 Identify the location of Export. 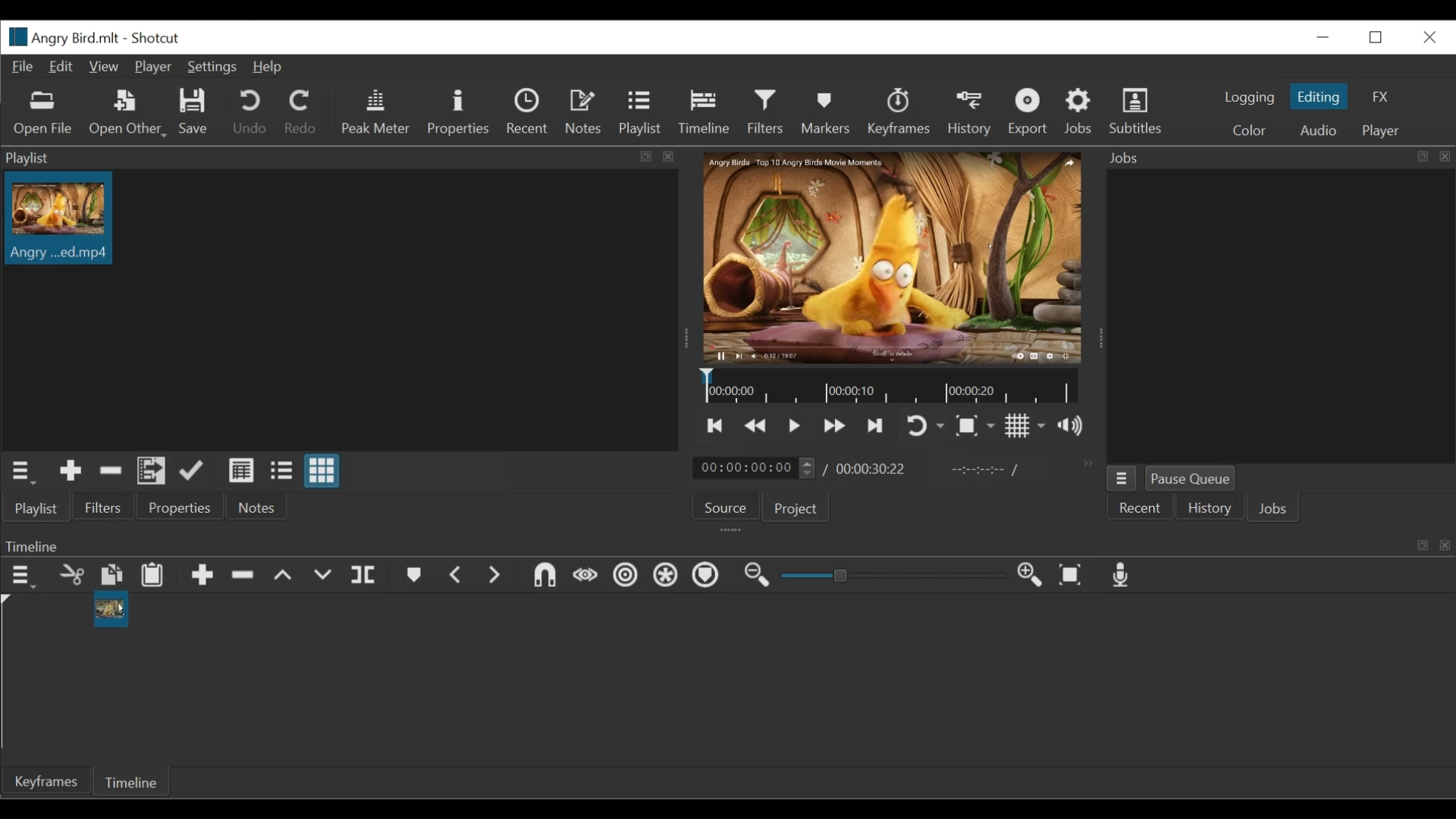
(1027, 111).